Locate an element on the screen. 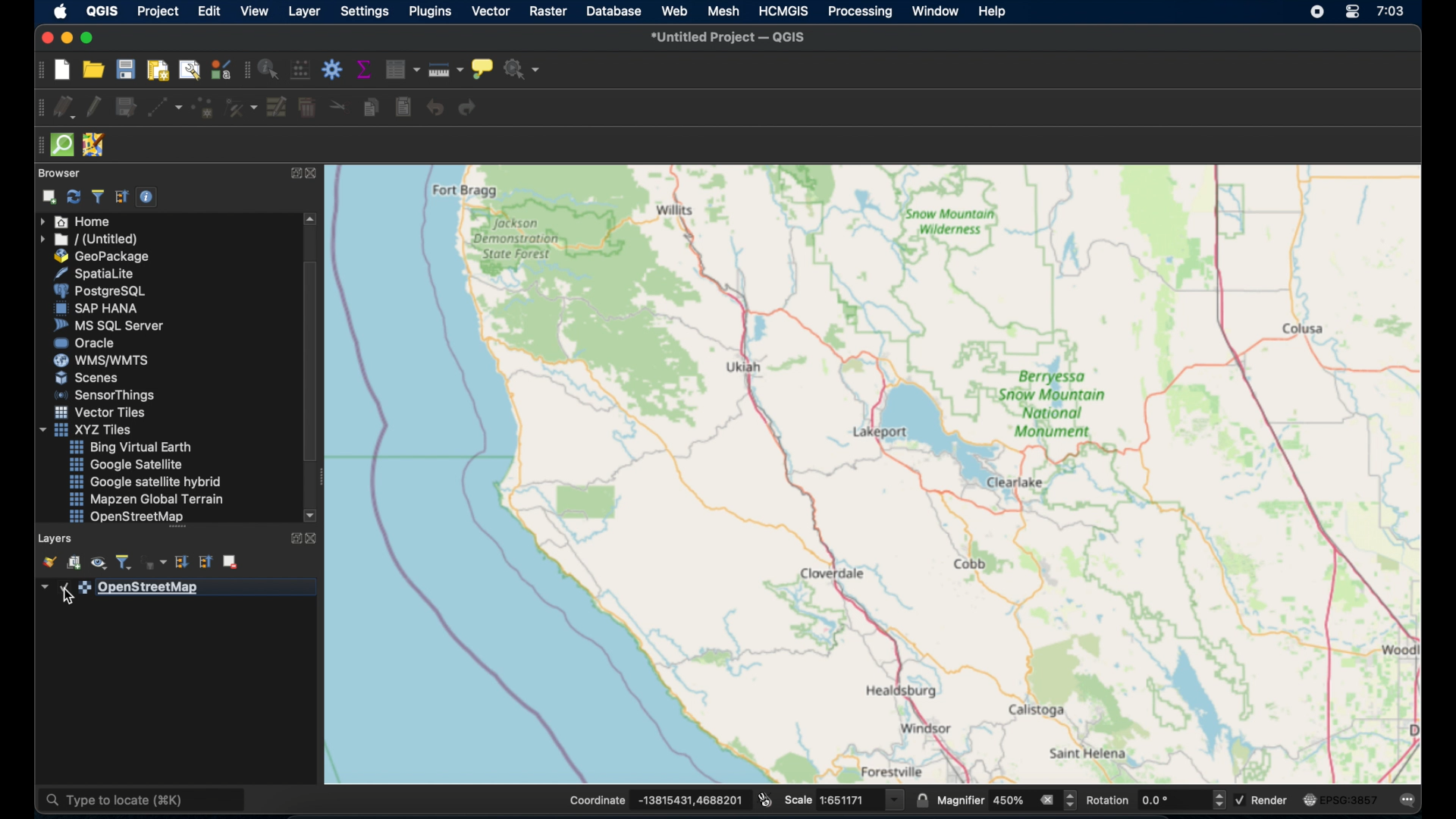 This screenshot has height=819, width=1456. digitizing toolbar is located at coordinates (39, 109).